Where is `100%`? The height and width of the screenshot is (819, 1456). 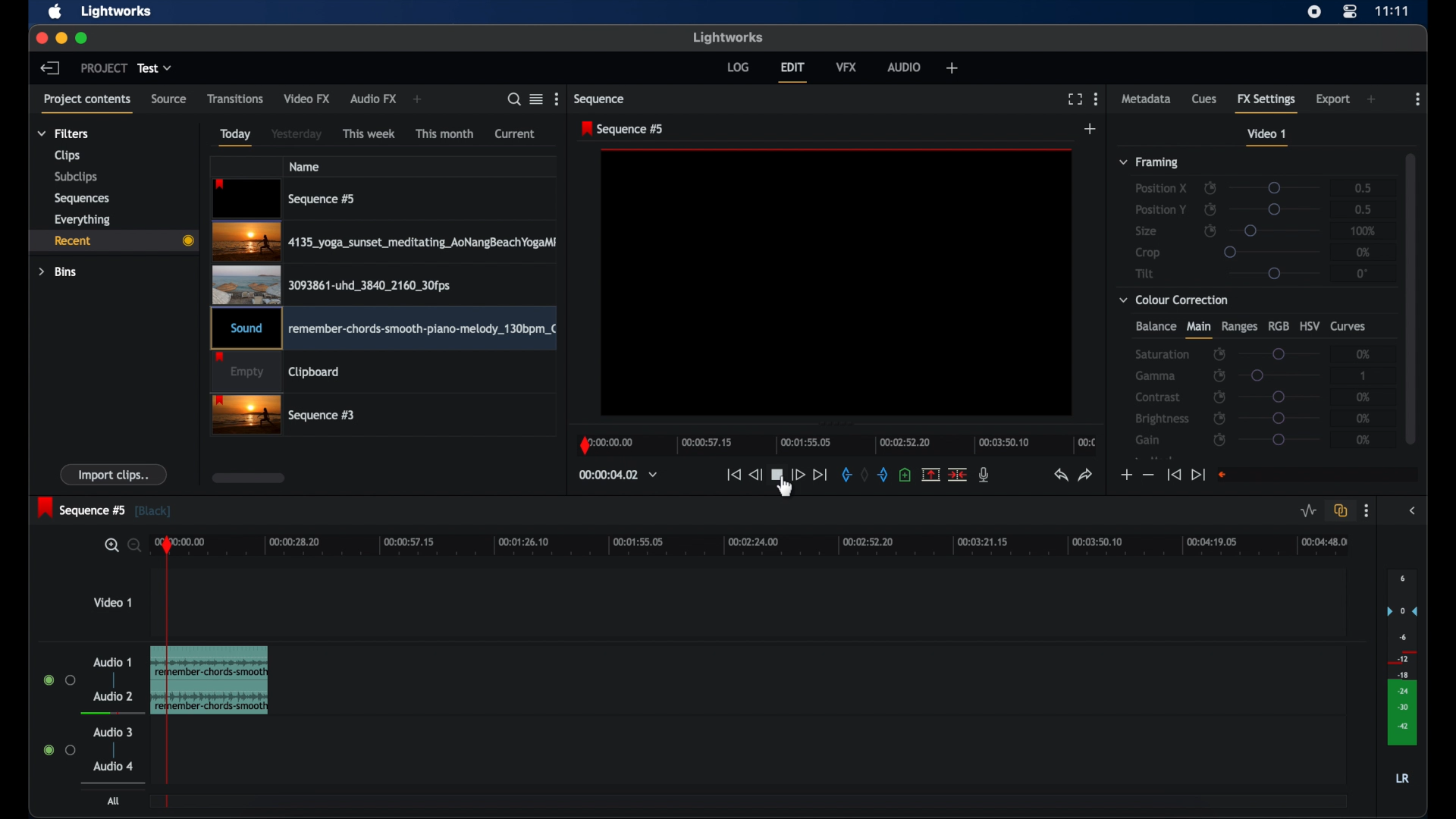
100% is located at coordinates (1363, 231).